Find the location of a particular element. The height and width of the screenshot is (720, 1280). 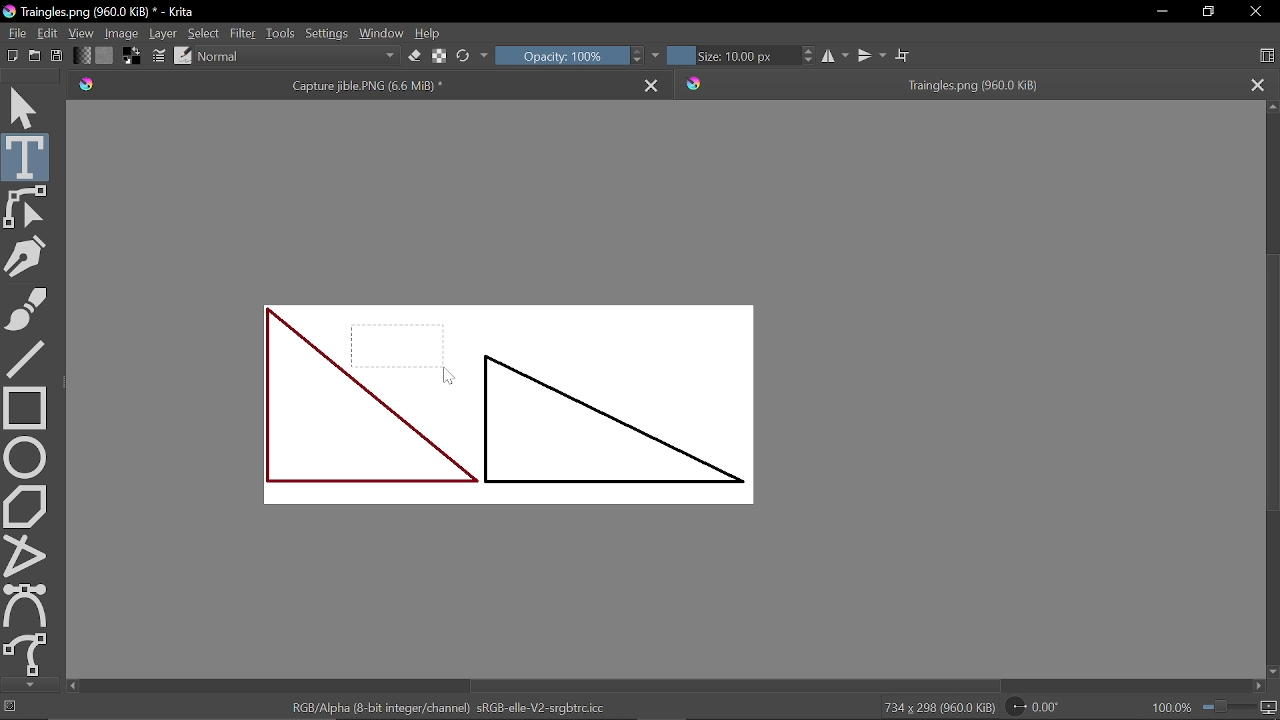

Gradient fill is located at coordinates (80, 57).